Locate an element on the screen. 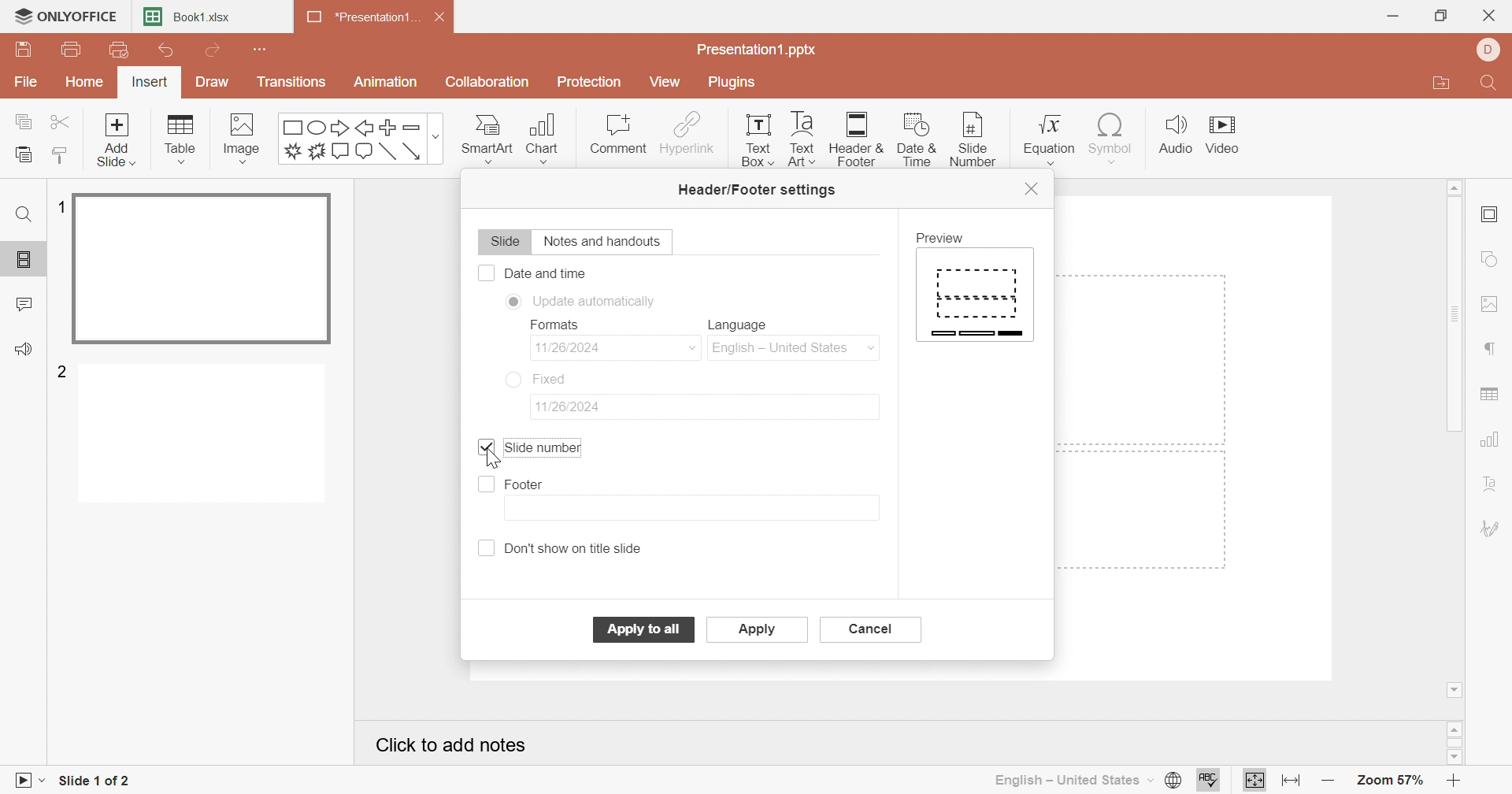  Fixed is located at coordinates (556, 380).